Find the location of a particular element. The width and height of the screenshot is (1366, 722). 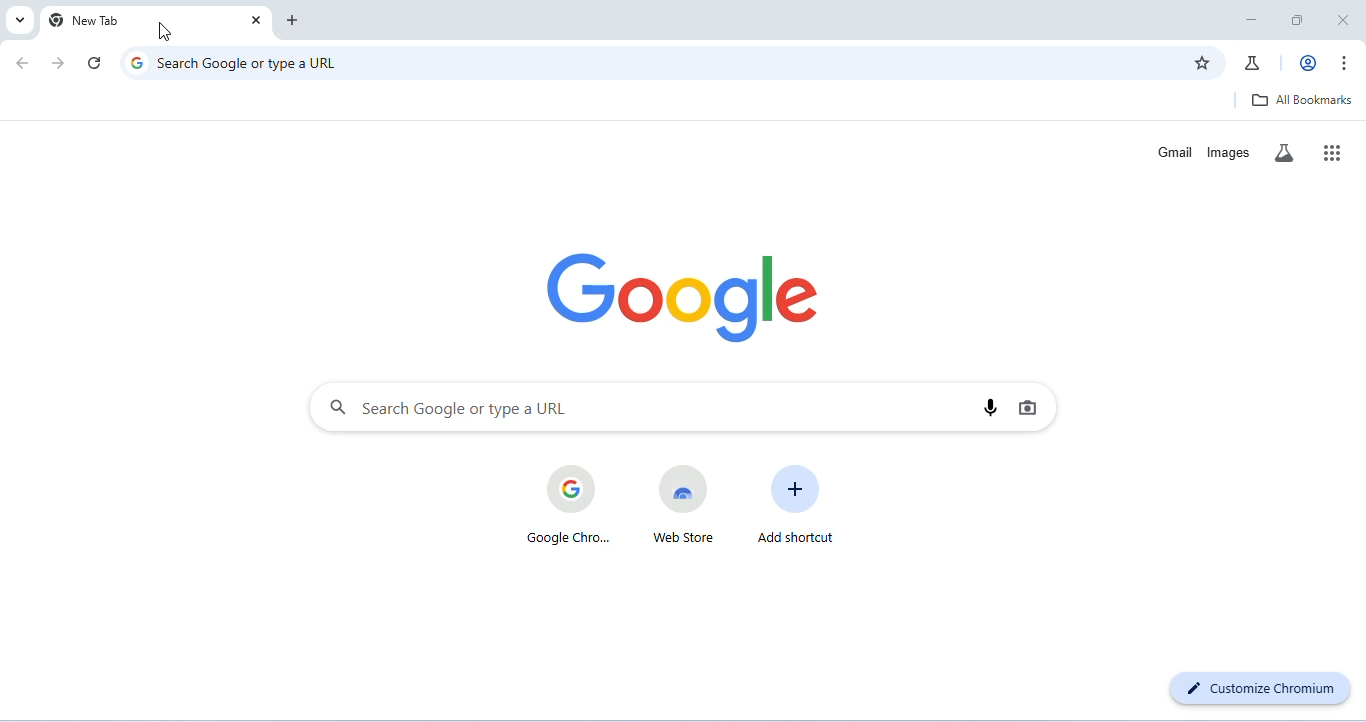

cursor is located at coordinates (165, 31).